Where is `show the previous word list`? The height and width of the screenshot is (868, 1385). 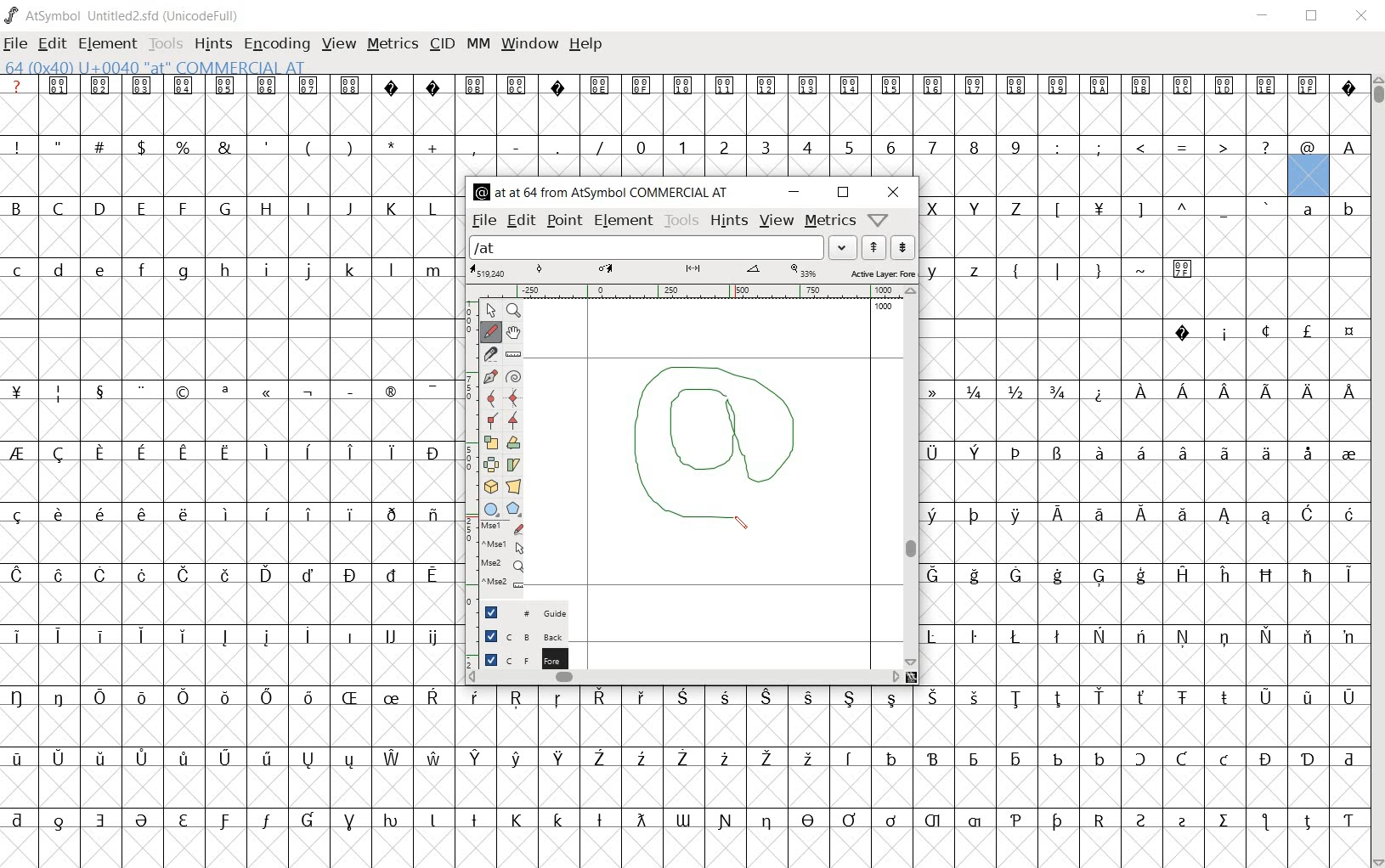 show the previous word list is located at coordinates (875, 248).